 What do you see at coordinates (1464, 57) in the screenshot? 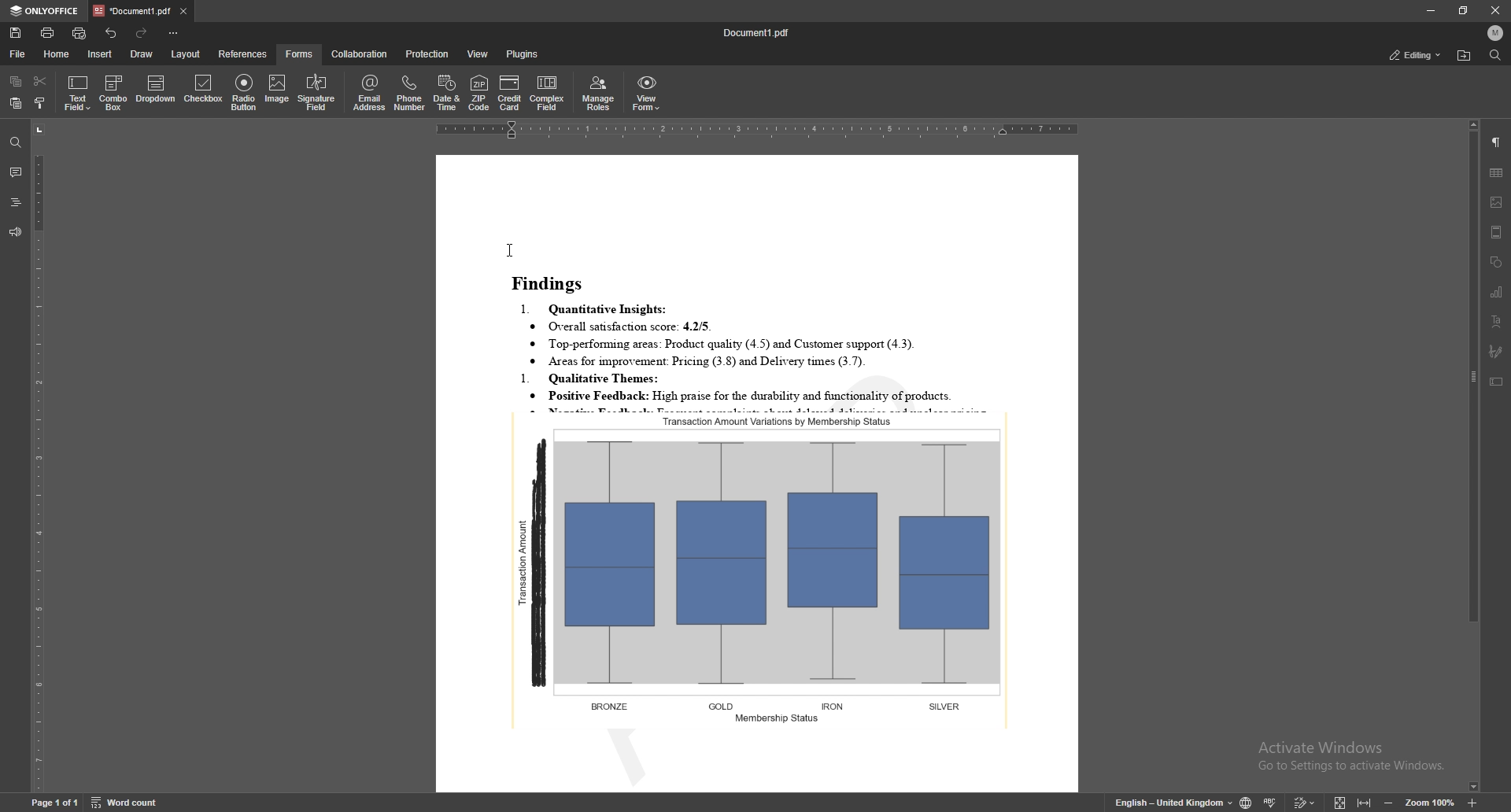
I see `locate file` at bounding box center [1464, 57].